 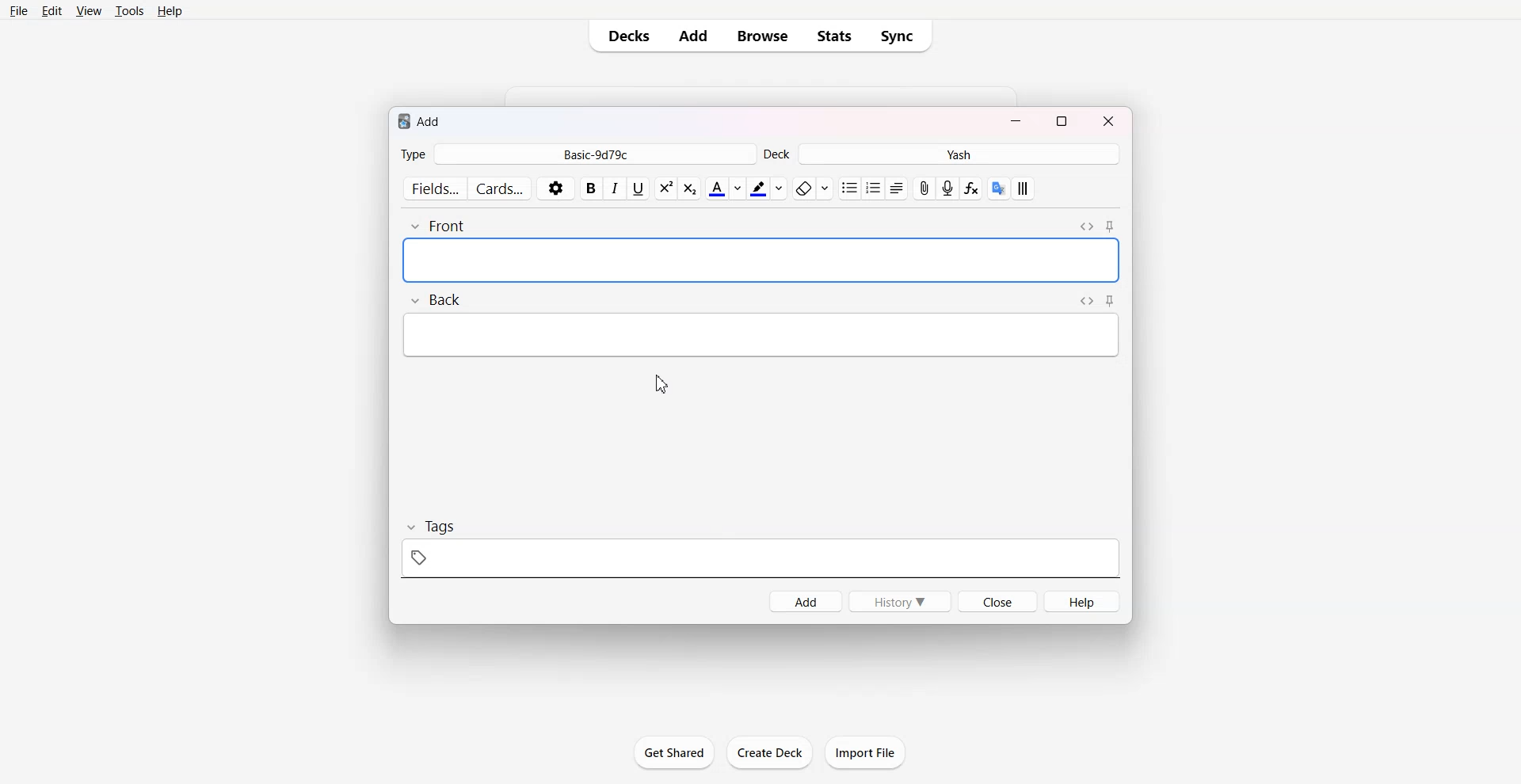 What do you see at coordinates (898, 188) in the screenshot?
I see `Alignment` at bounding box center [898, 188].